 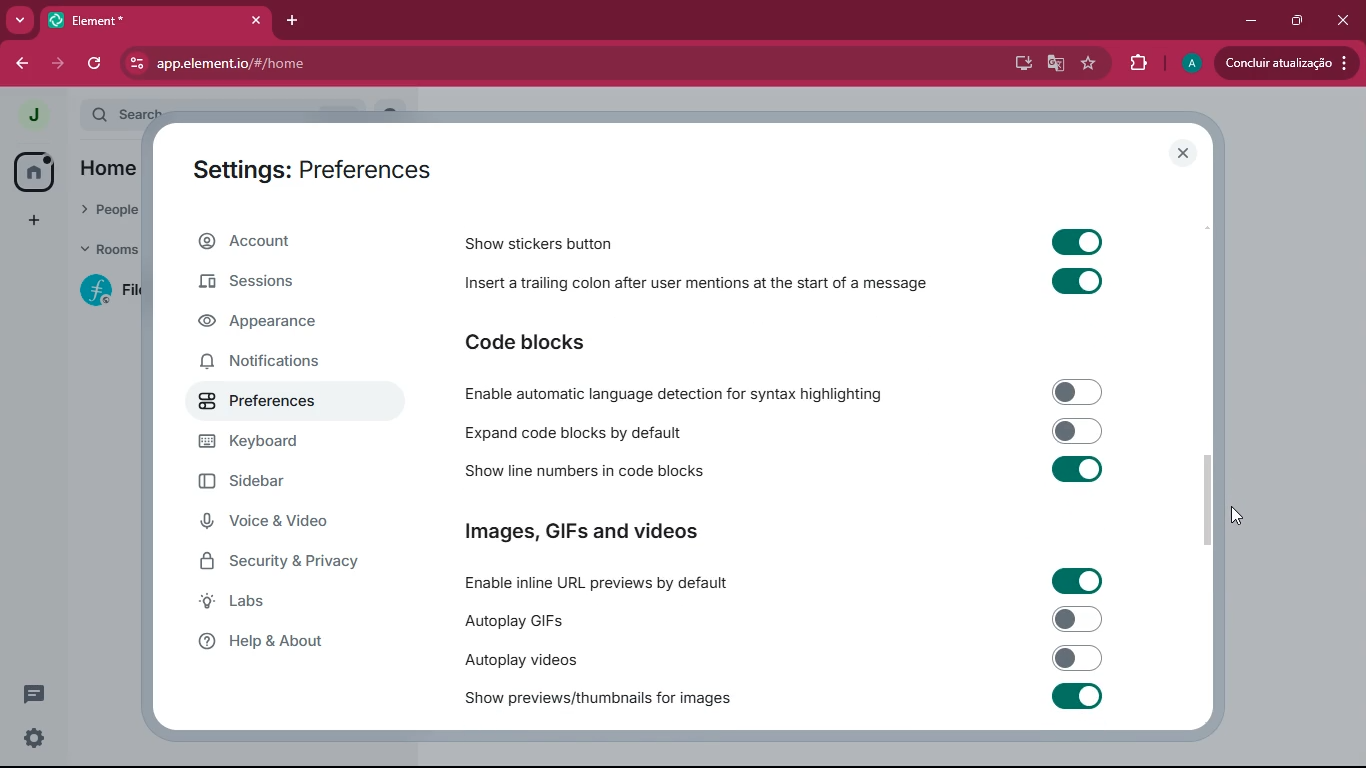 I want to click on profile picture, so click(x=34, y=114).